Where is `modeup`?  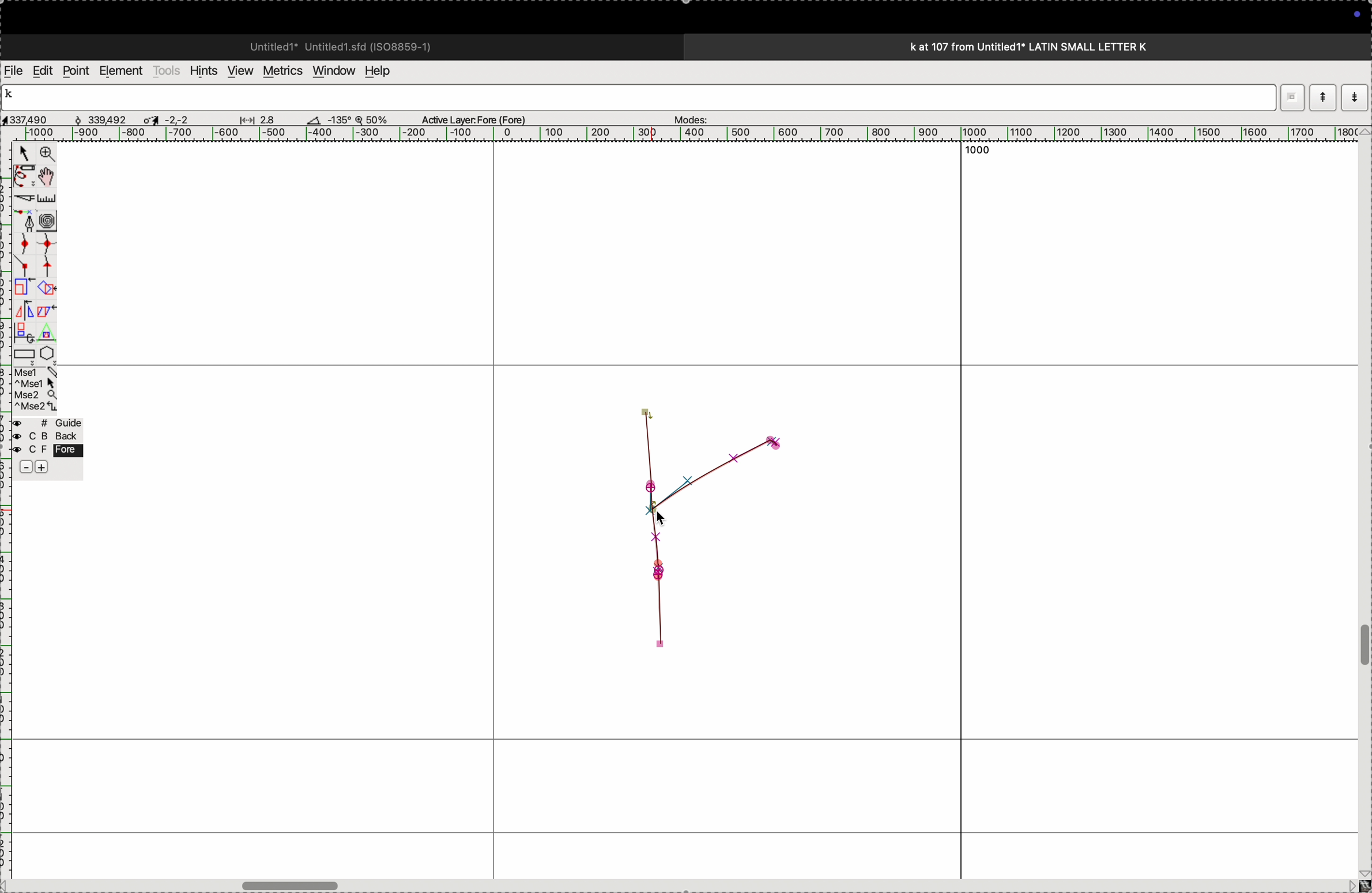 modeup is located at coordinates (1322, 97).